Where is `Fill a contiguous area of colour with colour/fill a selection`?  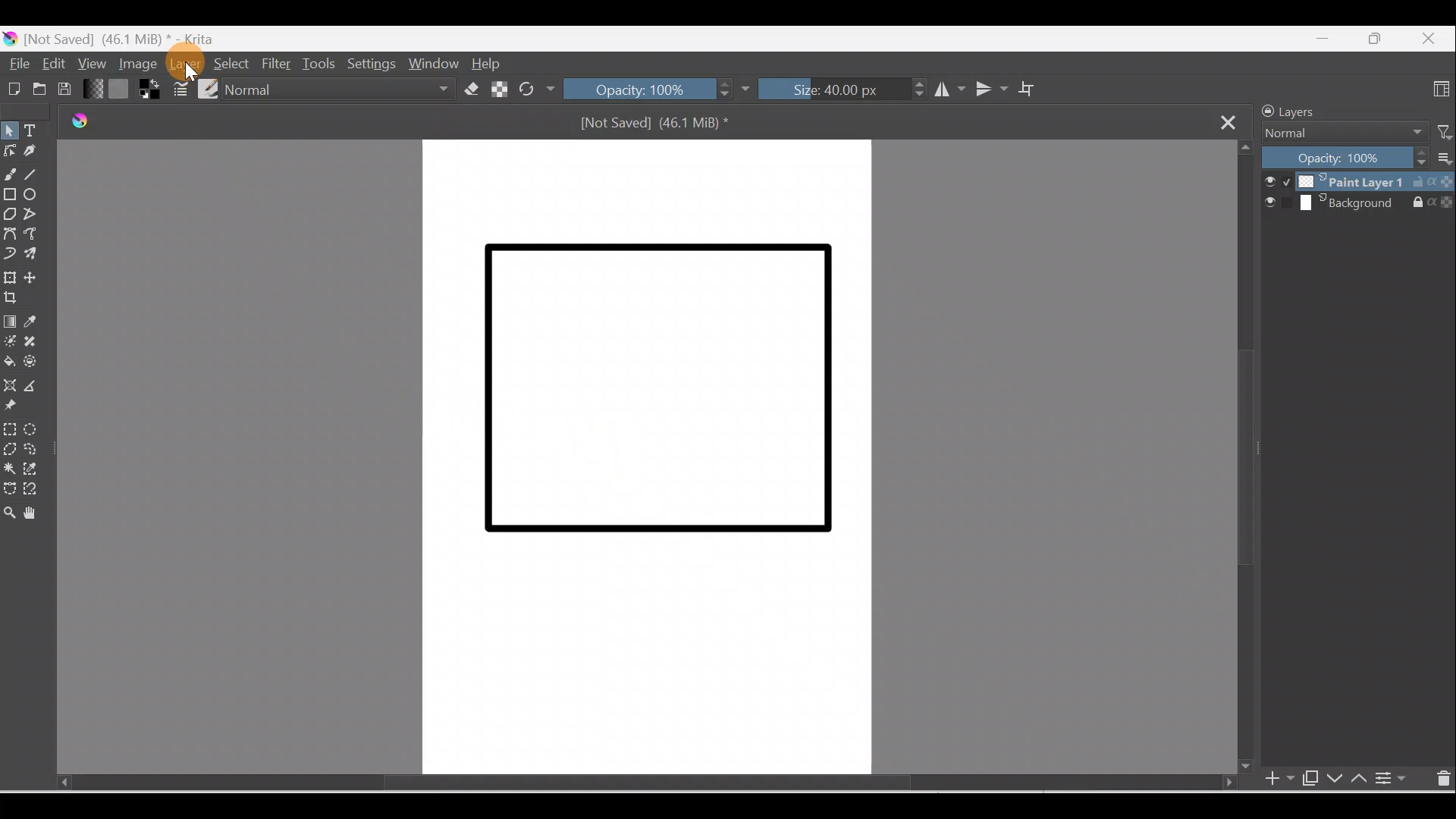 Fill a contiguous area of colour with colour/fill a selection is located at coordinates (9, 362).